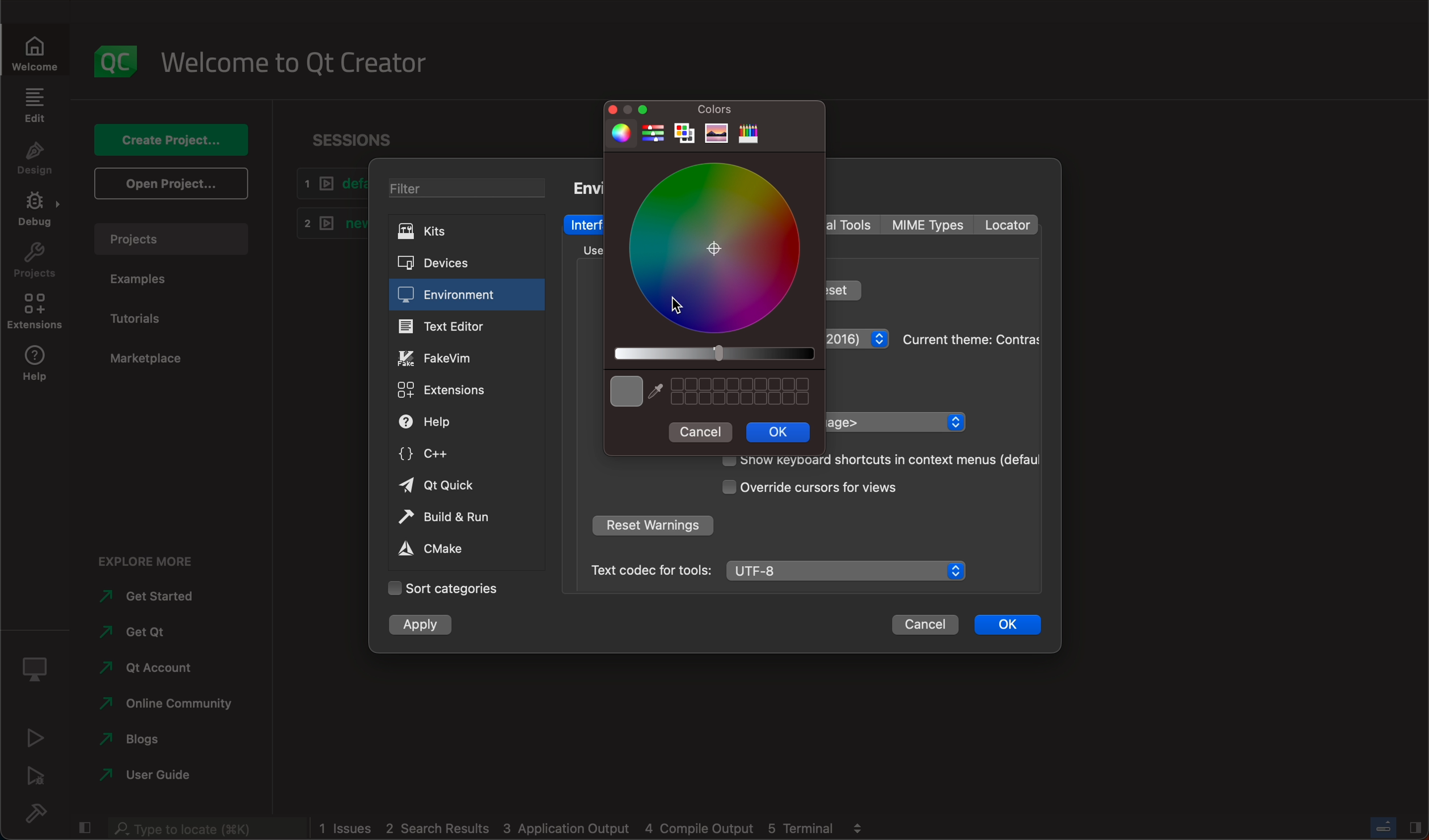 The height and width of the screenshot is (840, 1429). Describe the element at coordinates (586, 187) in the screenshot. I see `environment` at that location.